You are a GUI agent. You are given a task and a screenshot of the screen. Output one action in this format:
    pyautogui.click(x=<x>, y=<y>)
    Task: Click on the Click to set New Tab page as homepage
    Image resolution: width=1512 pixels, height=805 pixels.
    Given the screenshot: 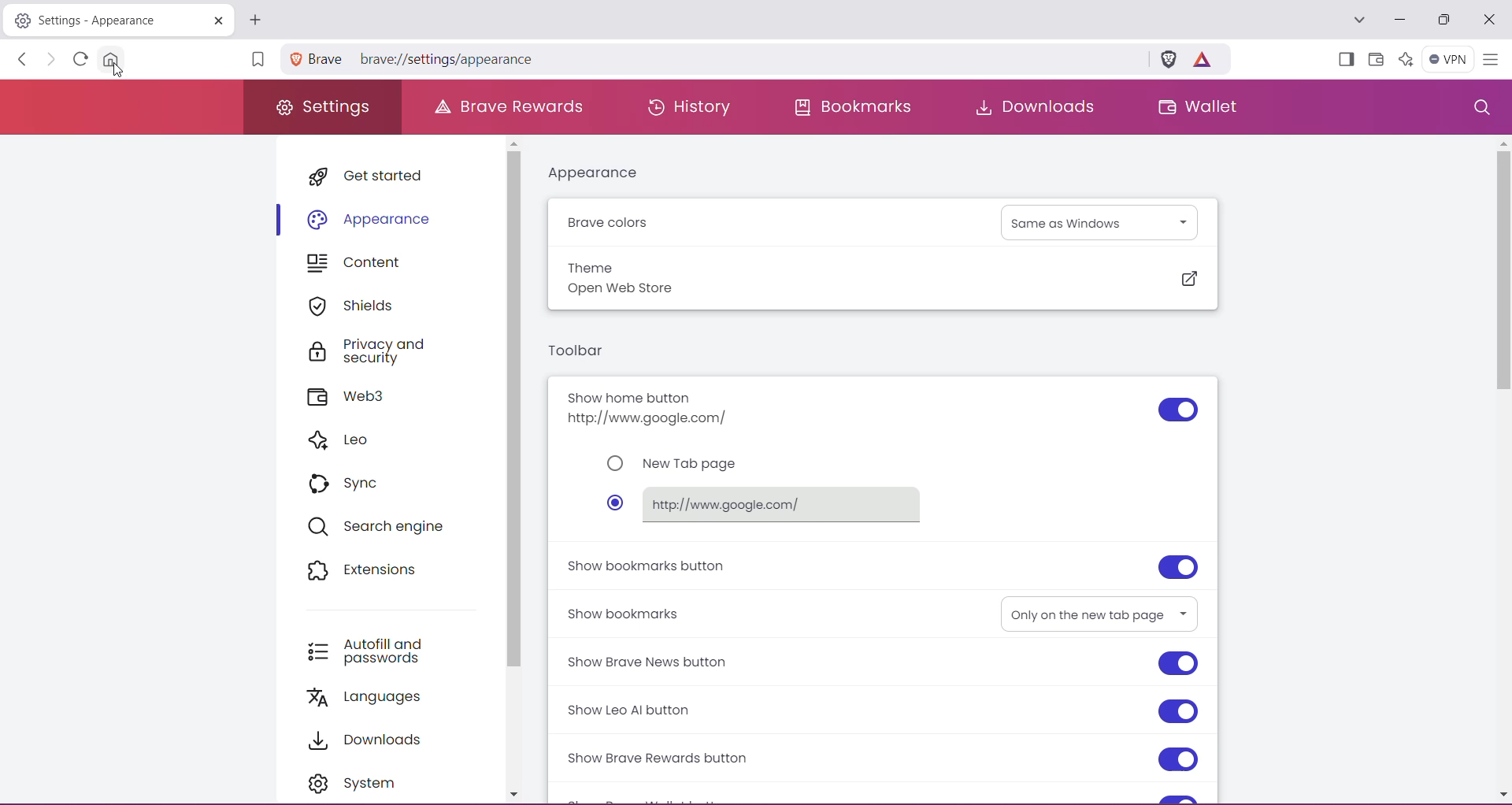 What is the action you would take?
    pyautogui.click(x=676, y=464)
    